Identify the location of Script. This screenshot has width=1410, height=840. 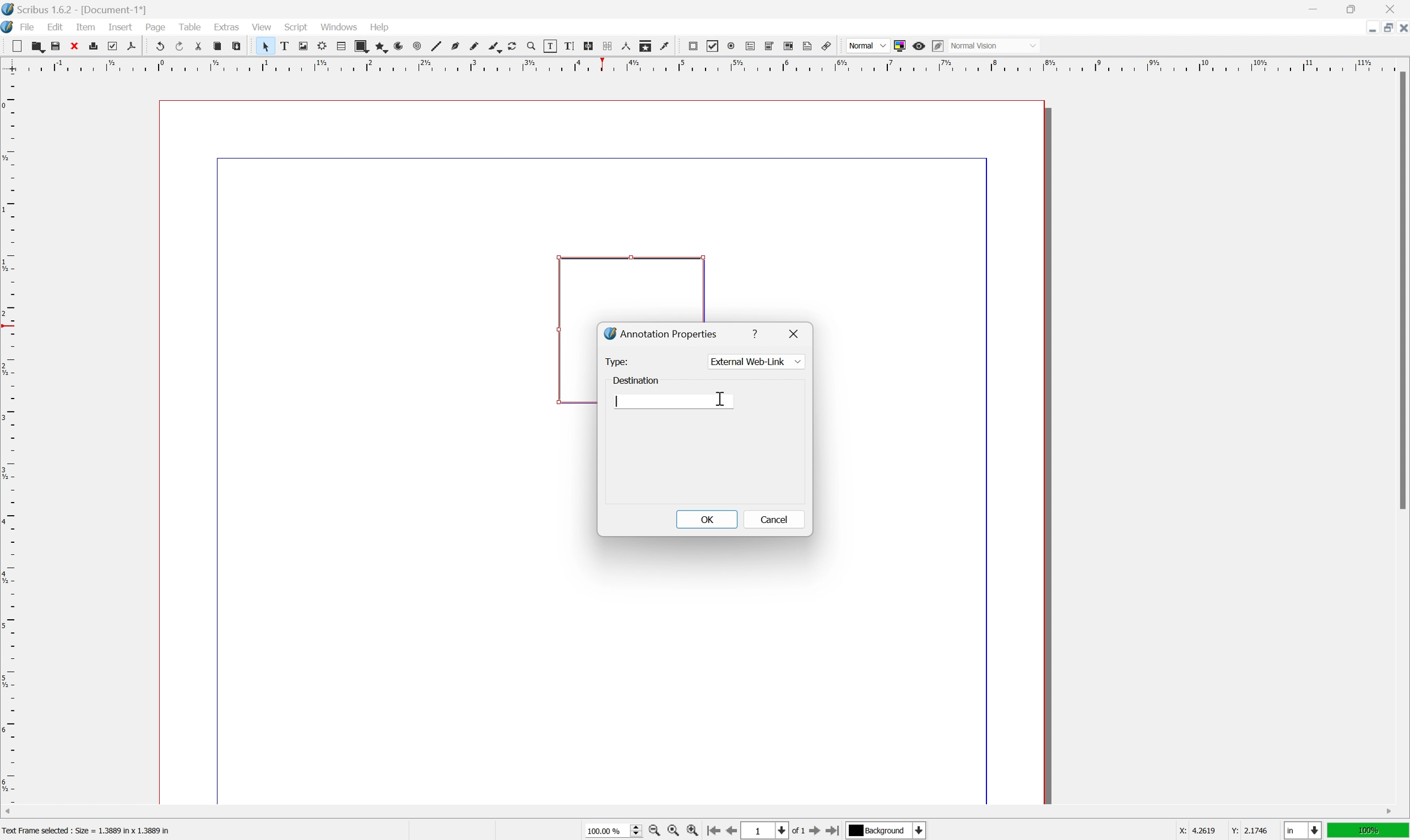
(297, 26).